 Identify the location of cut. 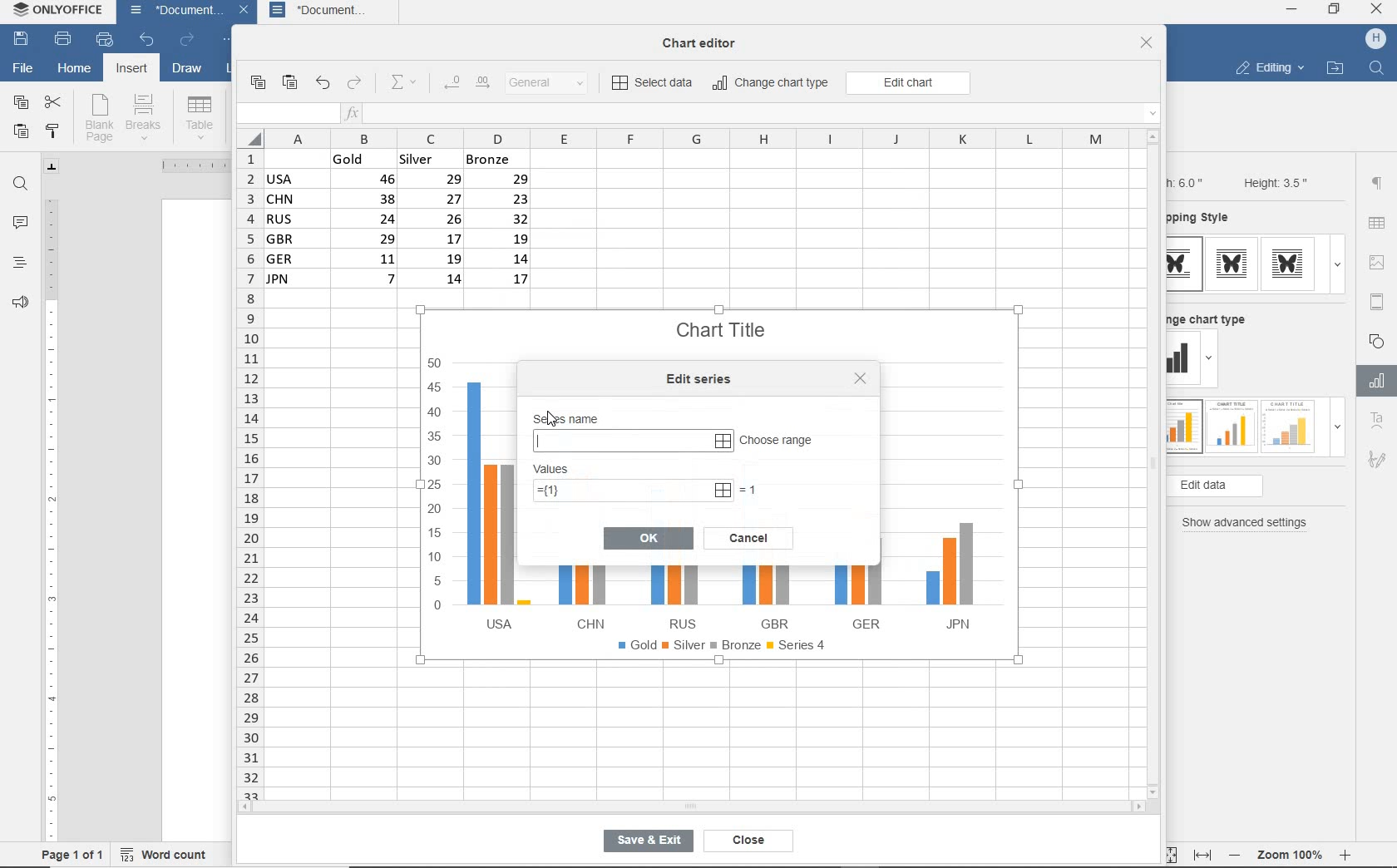
(54, 101).